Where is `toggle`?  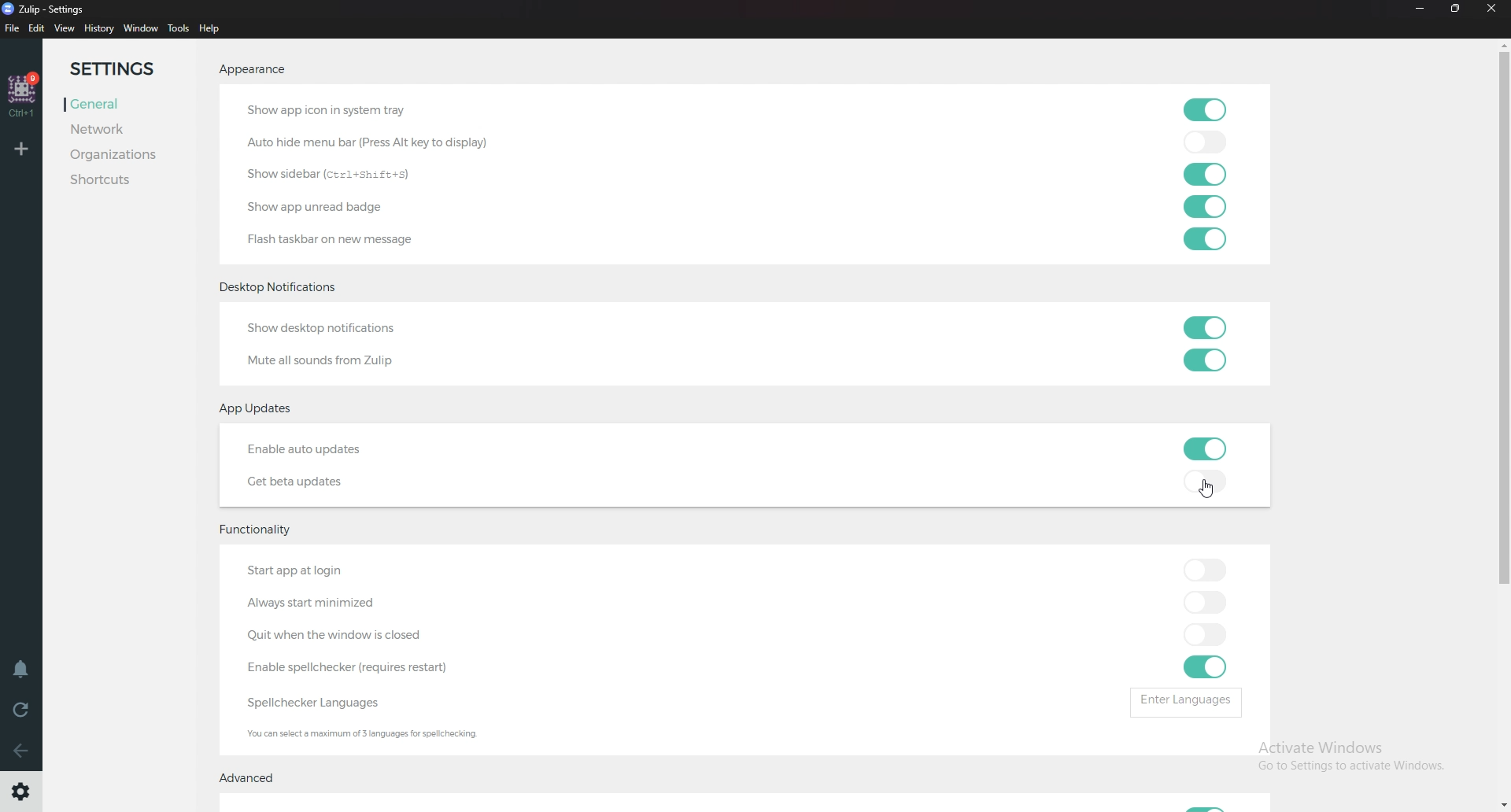 toggle is located at coordinates (1202, 110).